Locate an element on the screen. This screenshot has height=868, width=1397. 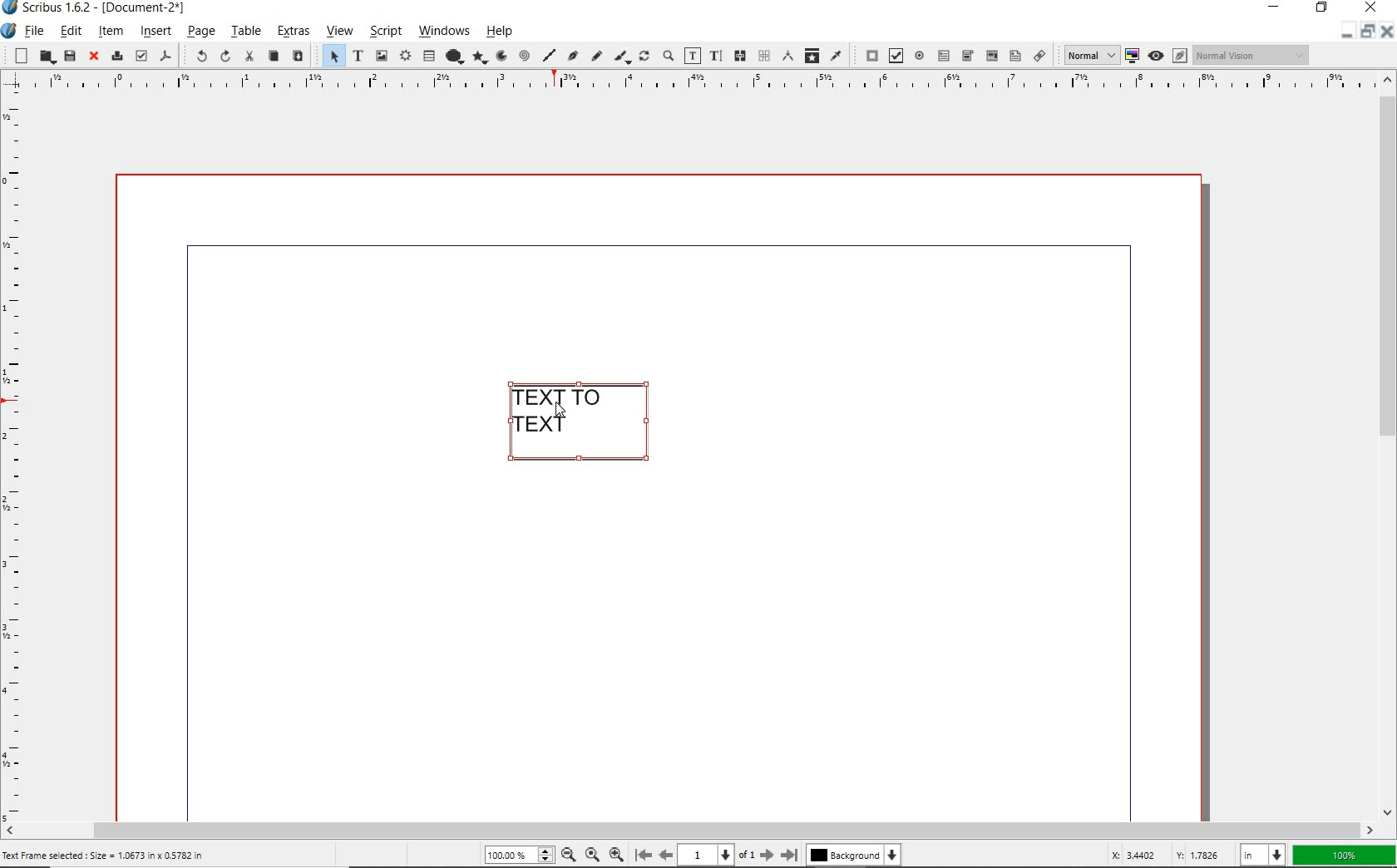
close is located at coordinates (94, 57).